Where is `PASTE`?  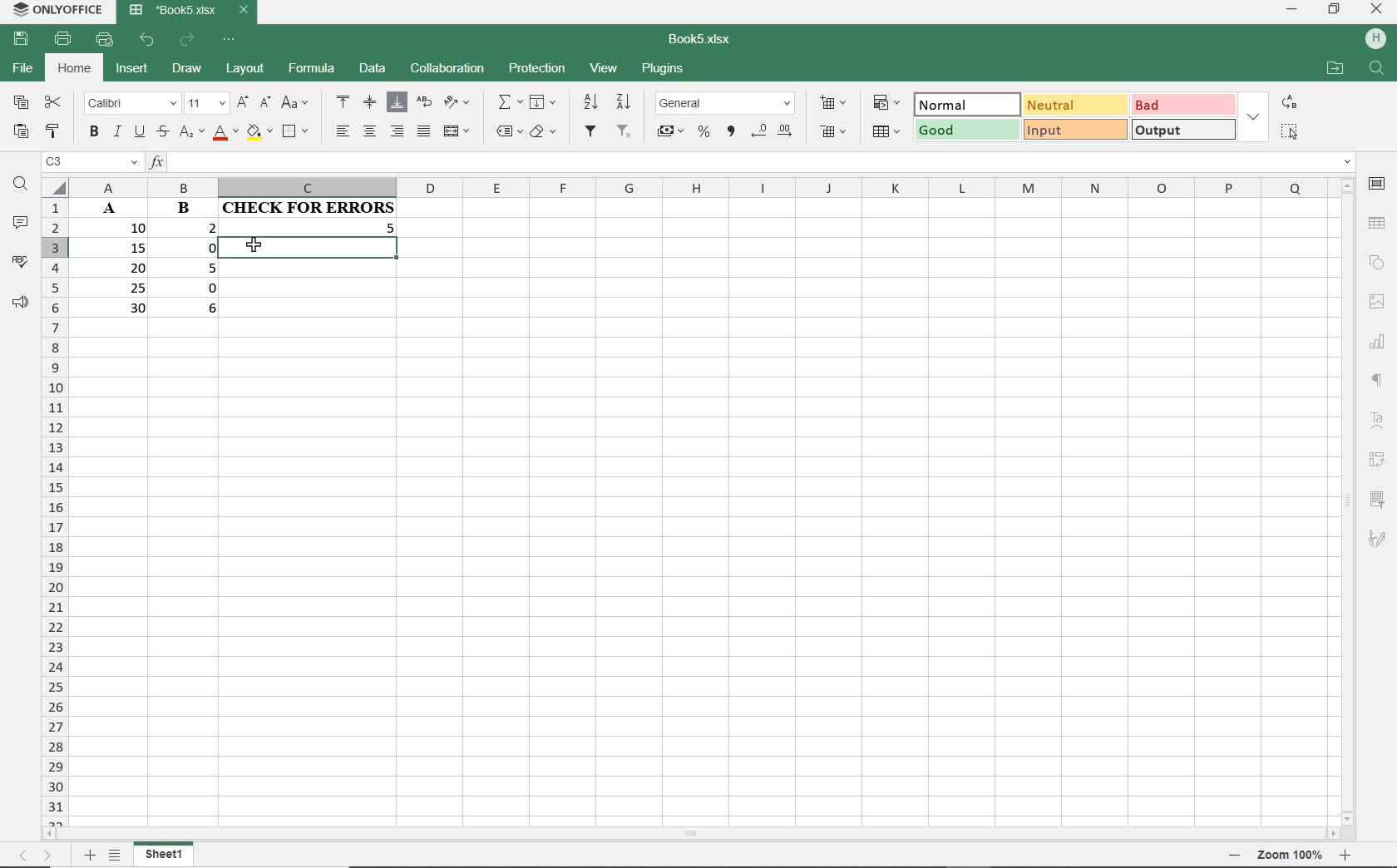
PASTE is located at coordinates (19, 133).